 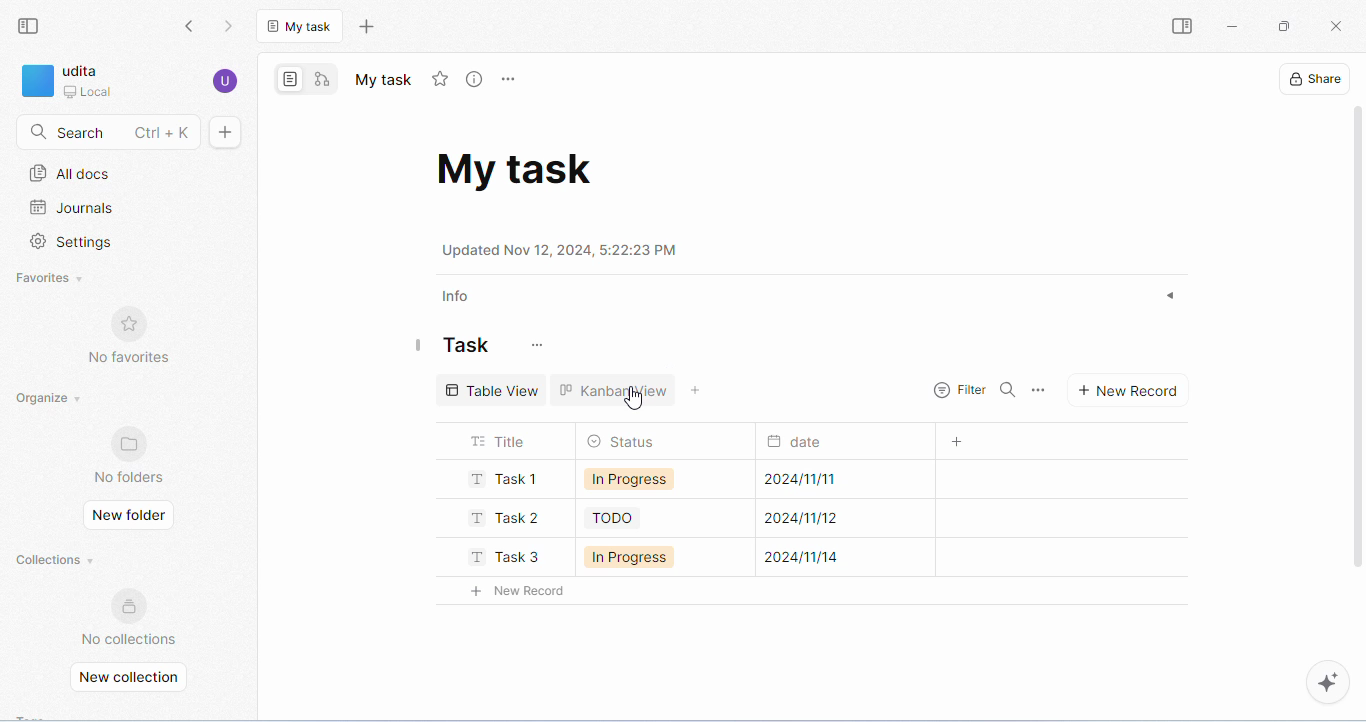 What do you see at coordinates (477, 81) in the screenshot?
I see `view info` at bounding box center [477, 81].